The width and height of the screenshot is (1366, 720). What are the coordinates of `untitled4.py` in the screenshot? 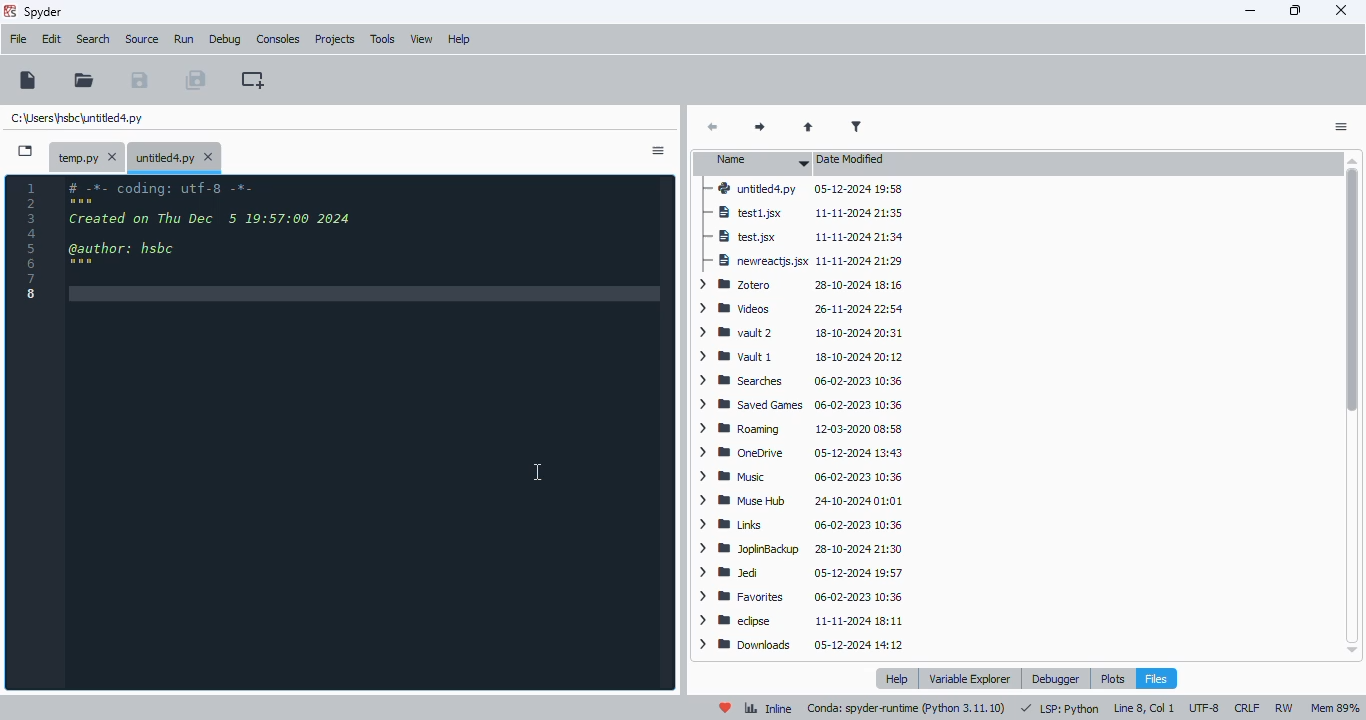 It's located at (753, 188).